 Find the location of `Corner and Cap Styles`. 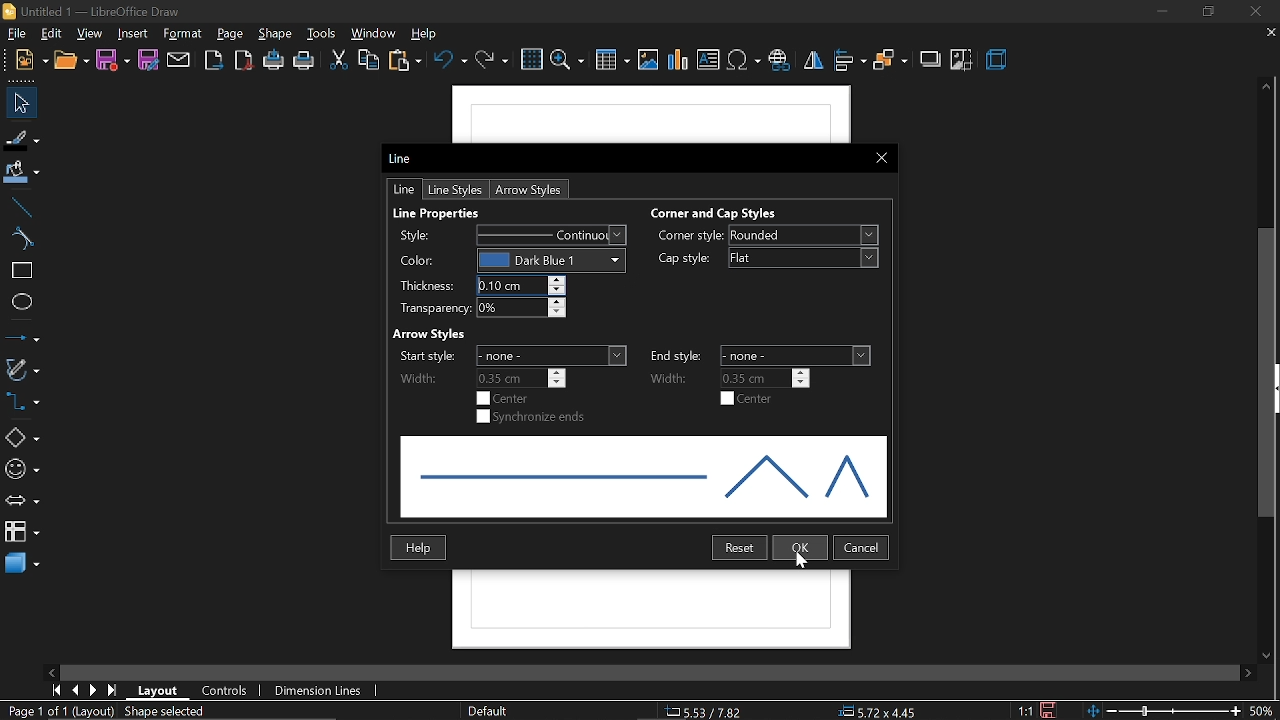

Corner and Cap Styles is located at coordinates (715, 213).